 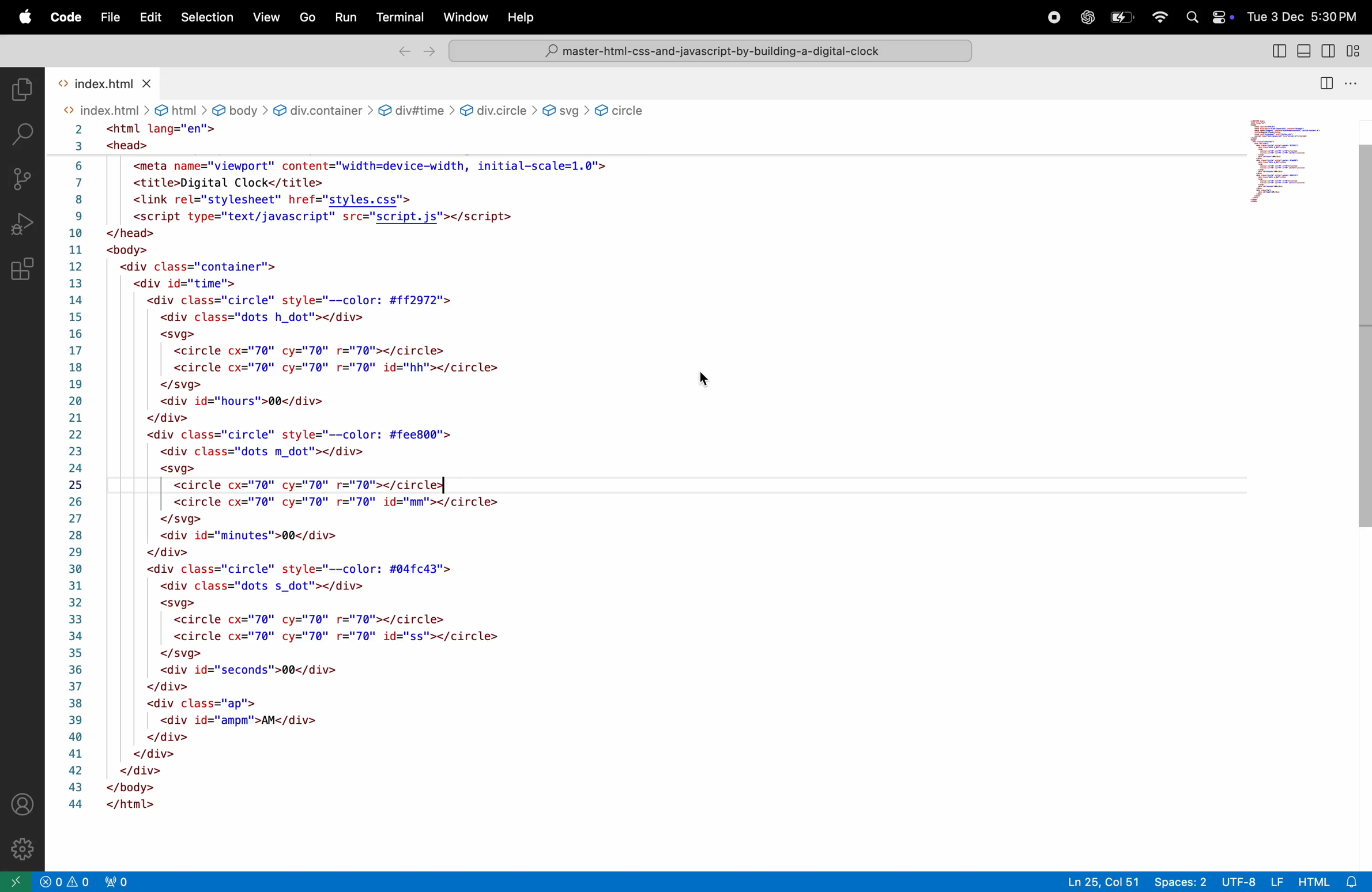 I want to click on toggle sidebar, so click(x=1333, y=52).